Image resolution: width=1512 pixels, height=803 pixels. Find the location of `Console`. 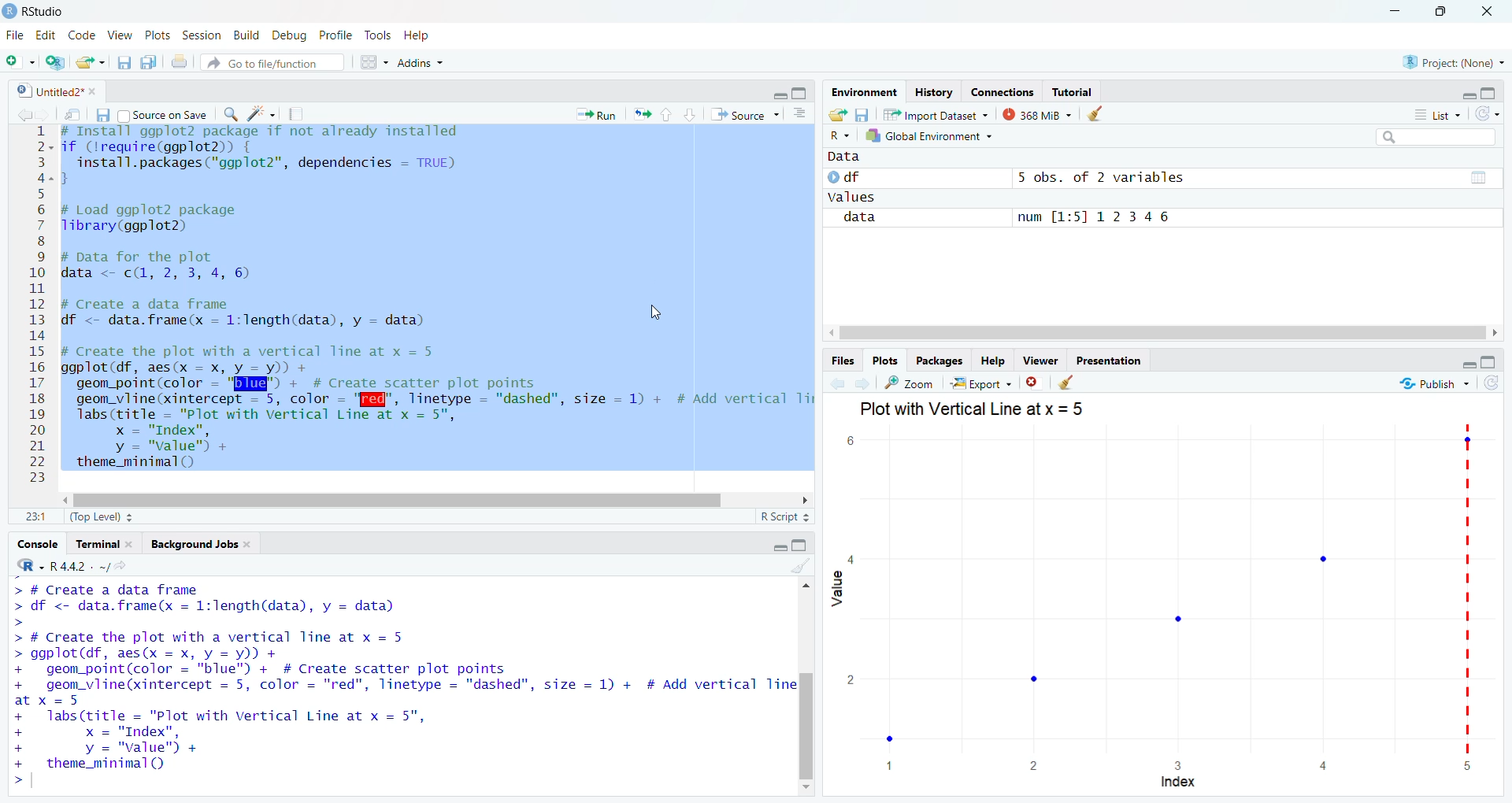

Console is located at coordinates (40, 542).